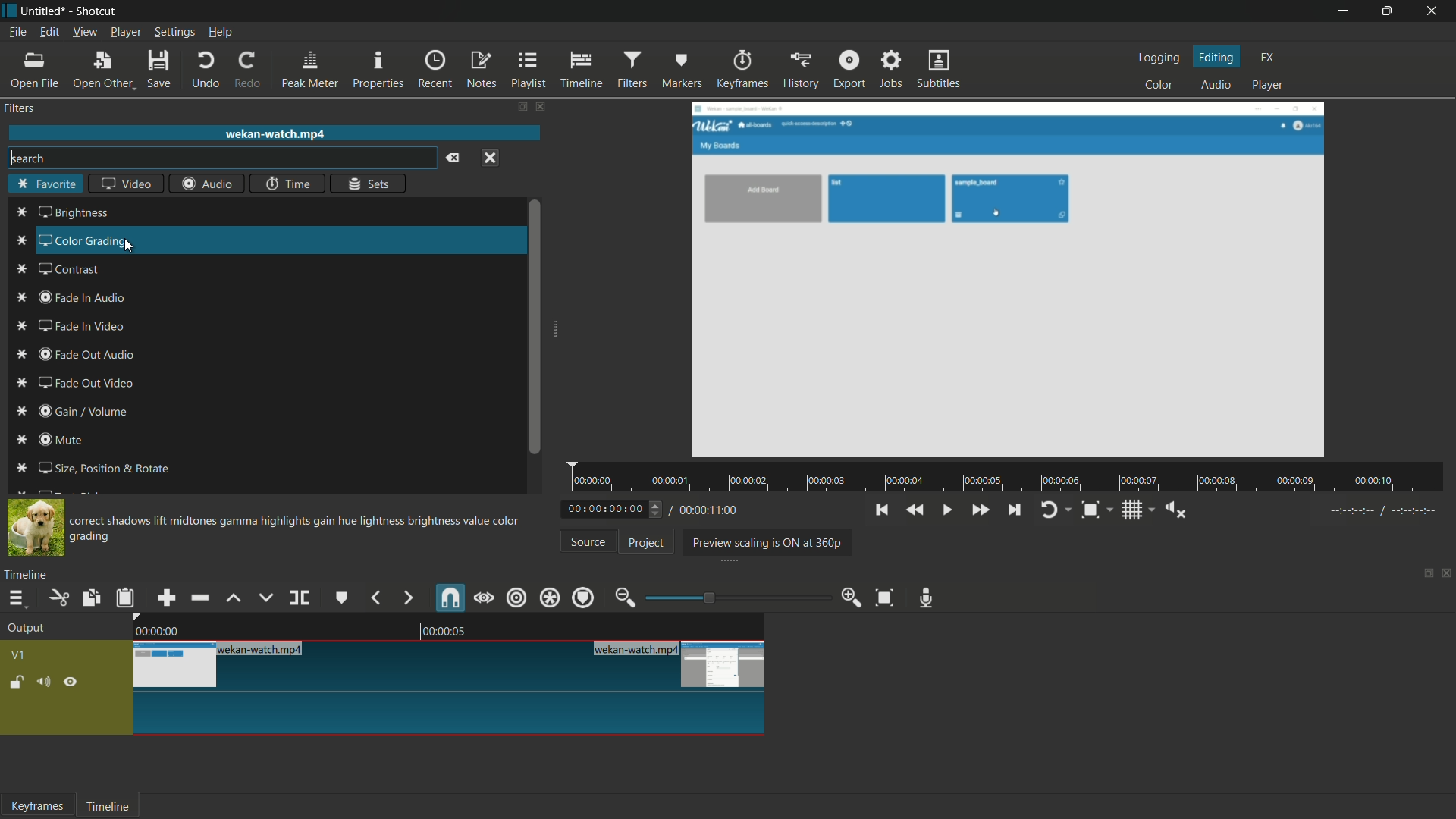 This screenshot has height=819, width=1456. Describe the element at coordinates (767, 541) in the screenshot. I see `preview scaling is on at 360p` at that location.